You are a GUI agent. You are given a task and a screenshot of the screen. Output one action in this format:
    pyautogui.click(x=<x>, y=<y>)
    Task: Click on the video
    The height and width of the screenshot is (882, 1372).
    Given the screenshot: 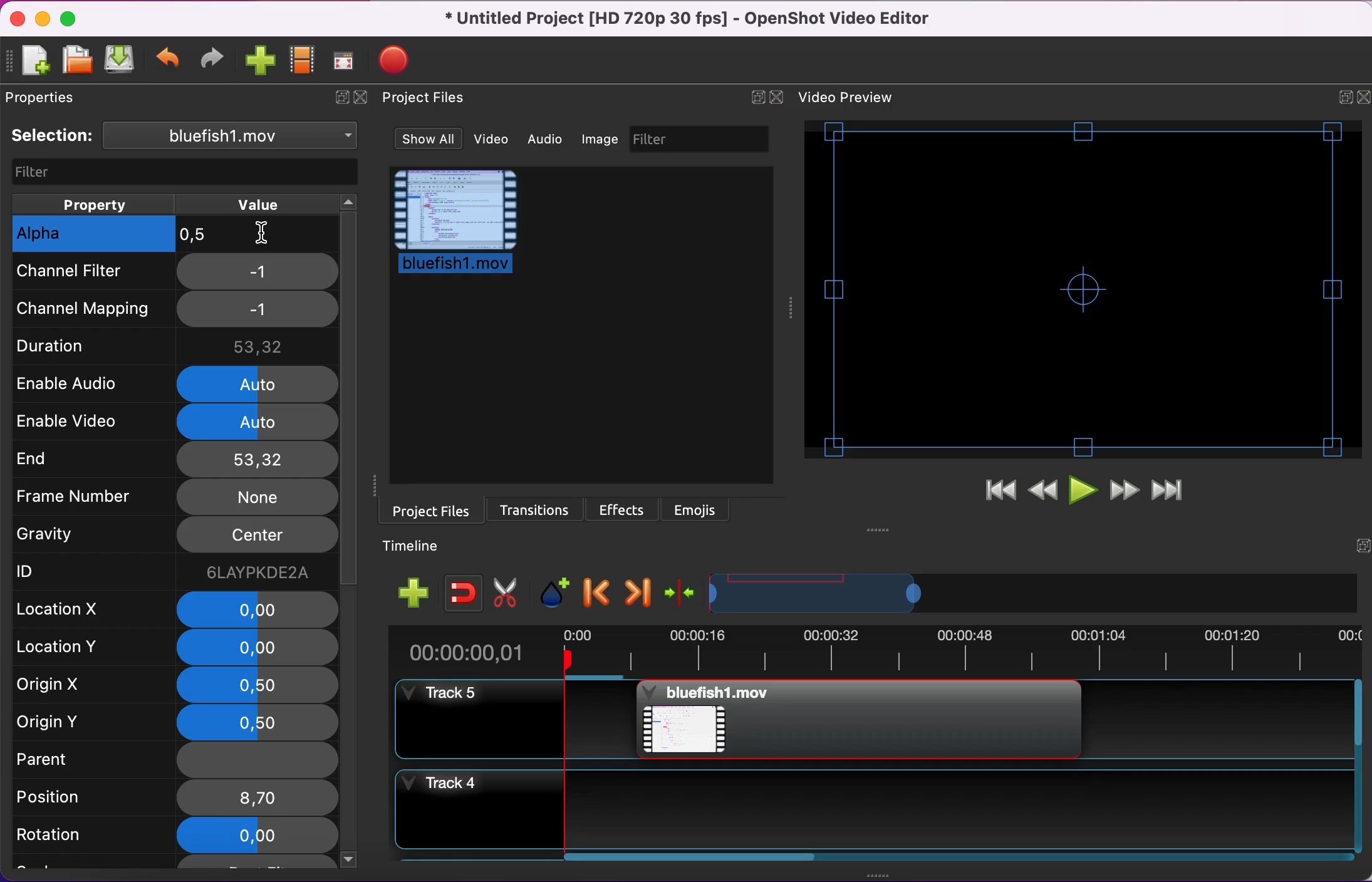 What is the action you would take?
    pyautogui.click(x=497, y=140)
    